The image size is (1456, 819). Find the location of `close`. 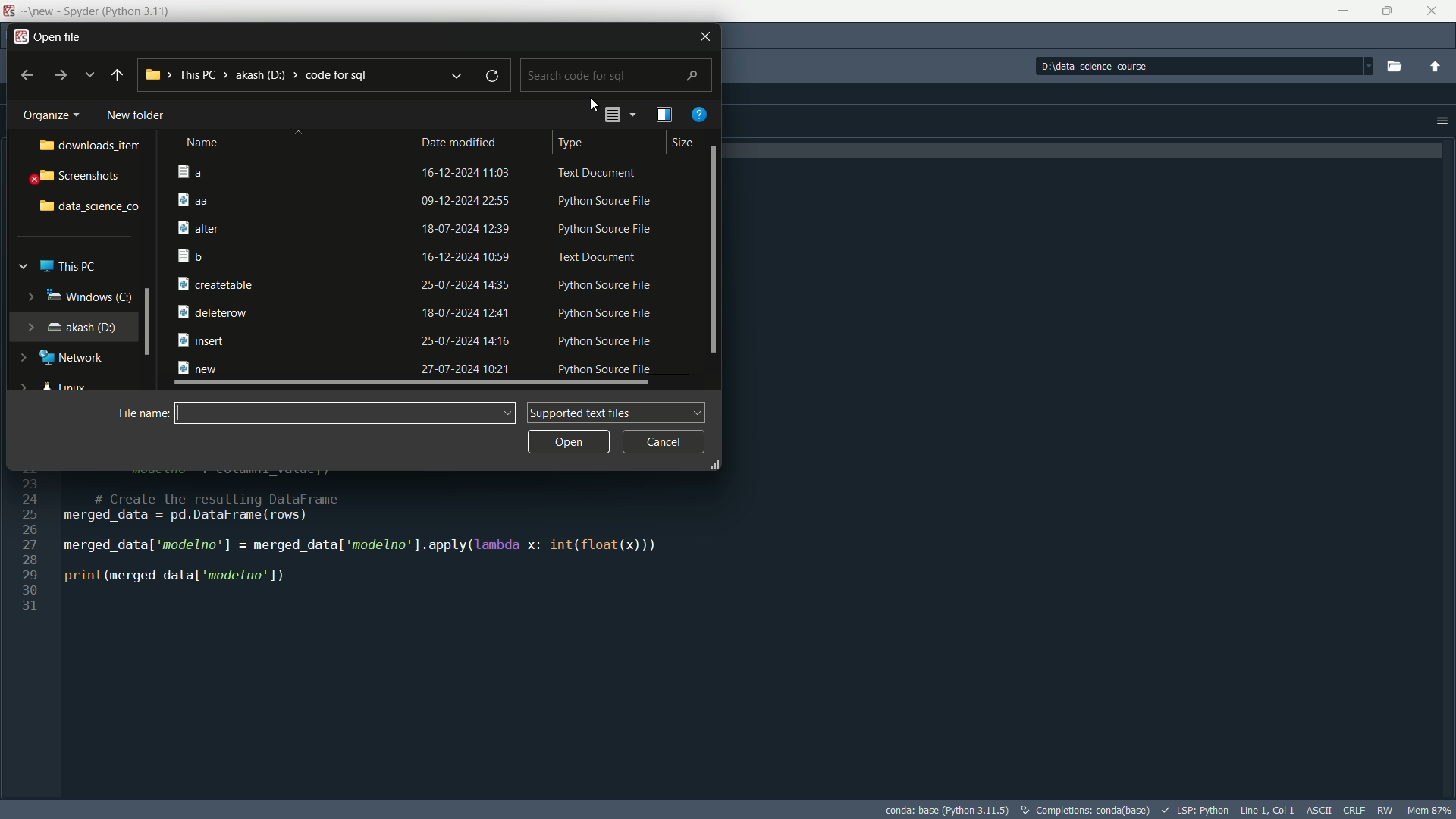

close is located at coordinates (696, 37).